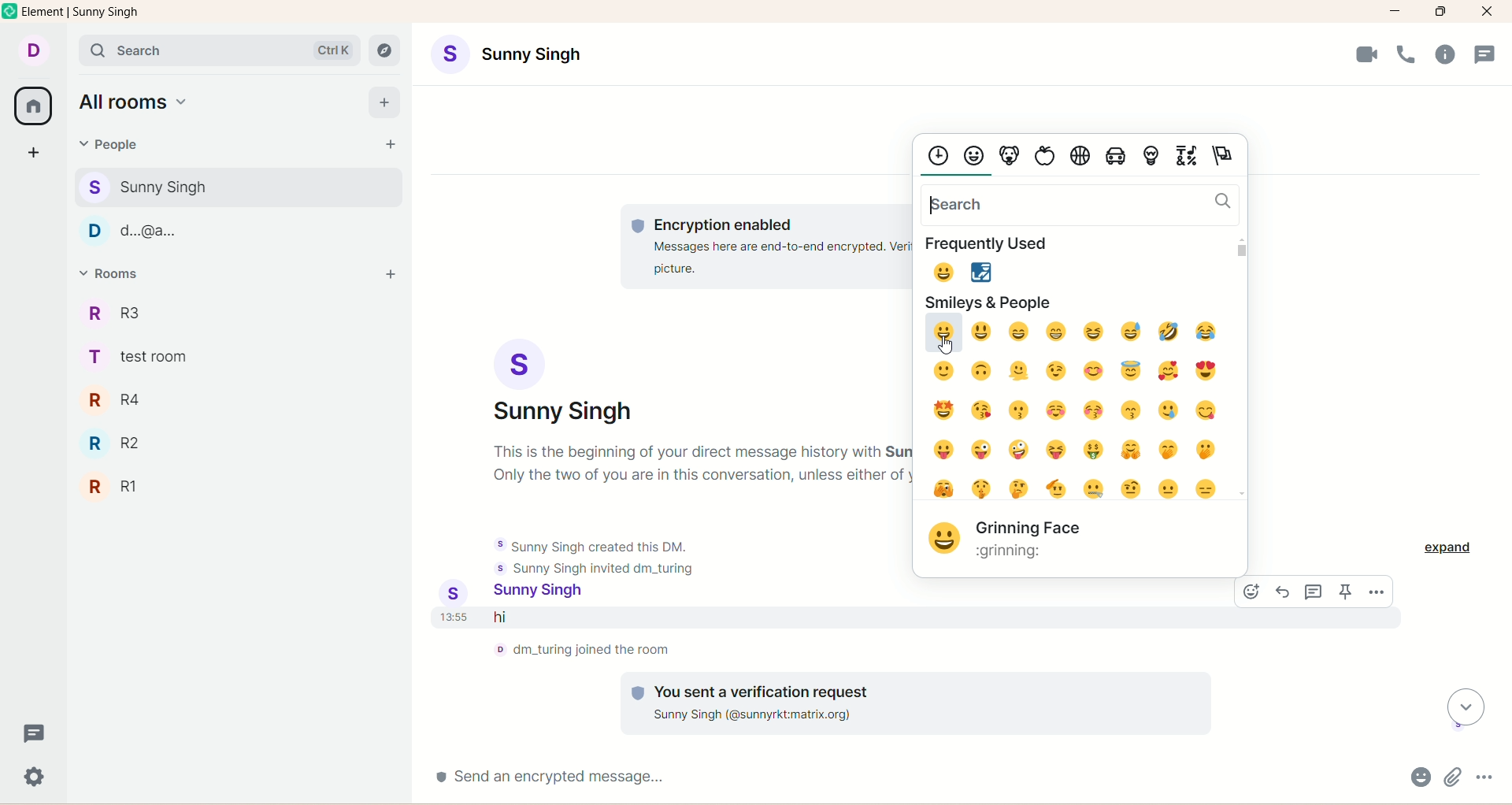  What do you see at coordinates (1485, 54) in the screenshot?
I see `threads` at bounding box center [1485, 54].